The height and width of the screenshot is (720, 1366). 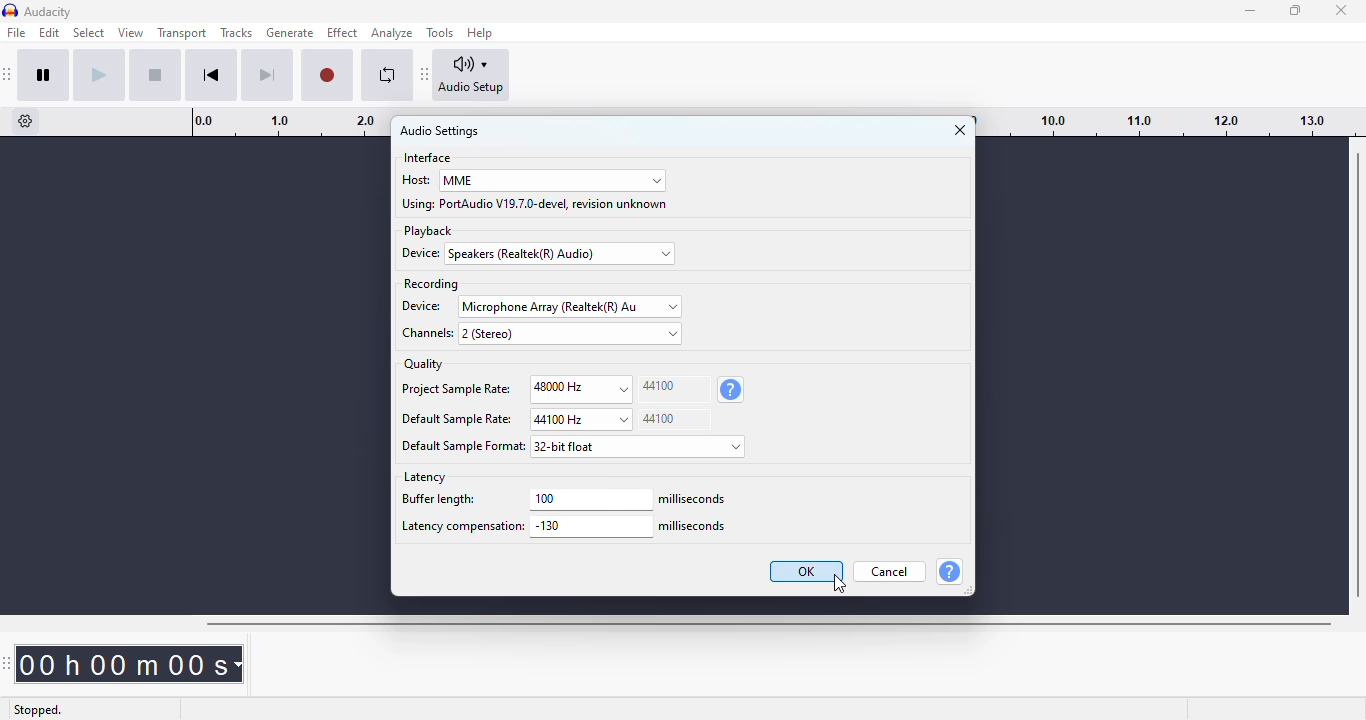 I want to click on latency, so click(x=425, y=477).